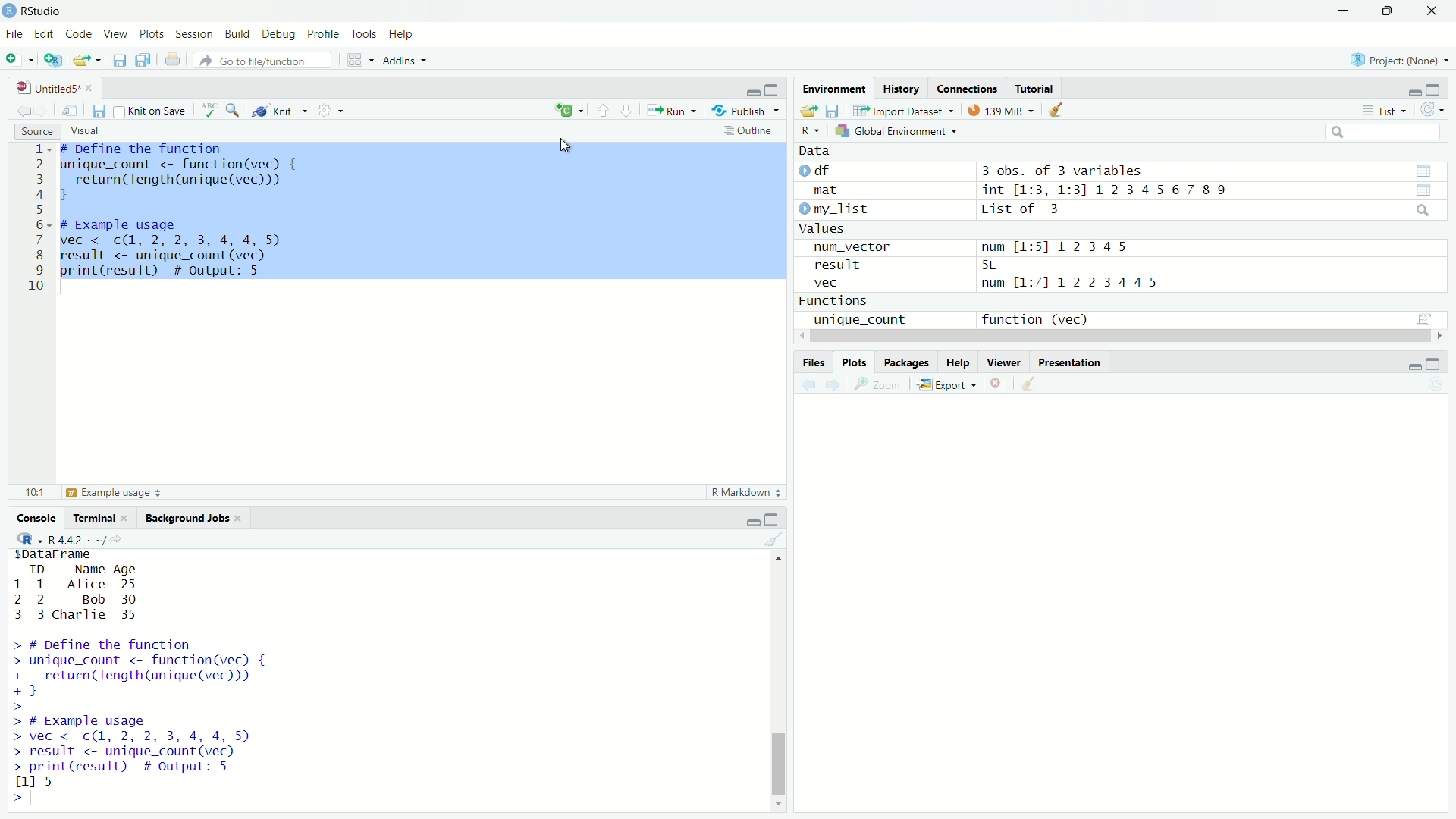  What do you see at coordinates (567, 145) in the screenshot?
I see `cursor` at bounding box center [567, 145].